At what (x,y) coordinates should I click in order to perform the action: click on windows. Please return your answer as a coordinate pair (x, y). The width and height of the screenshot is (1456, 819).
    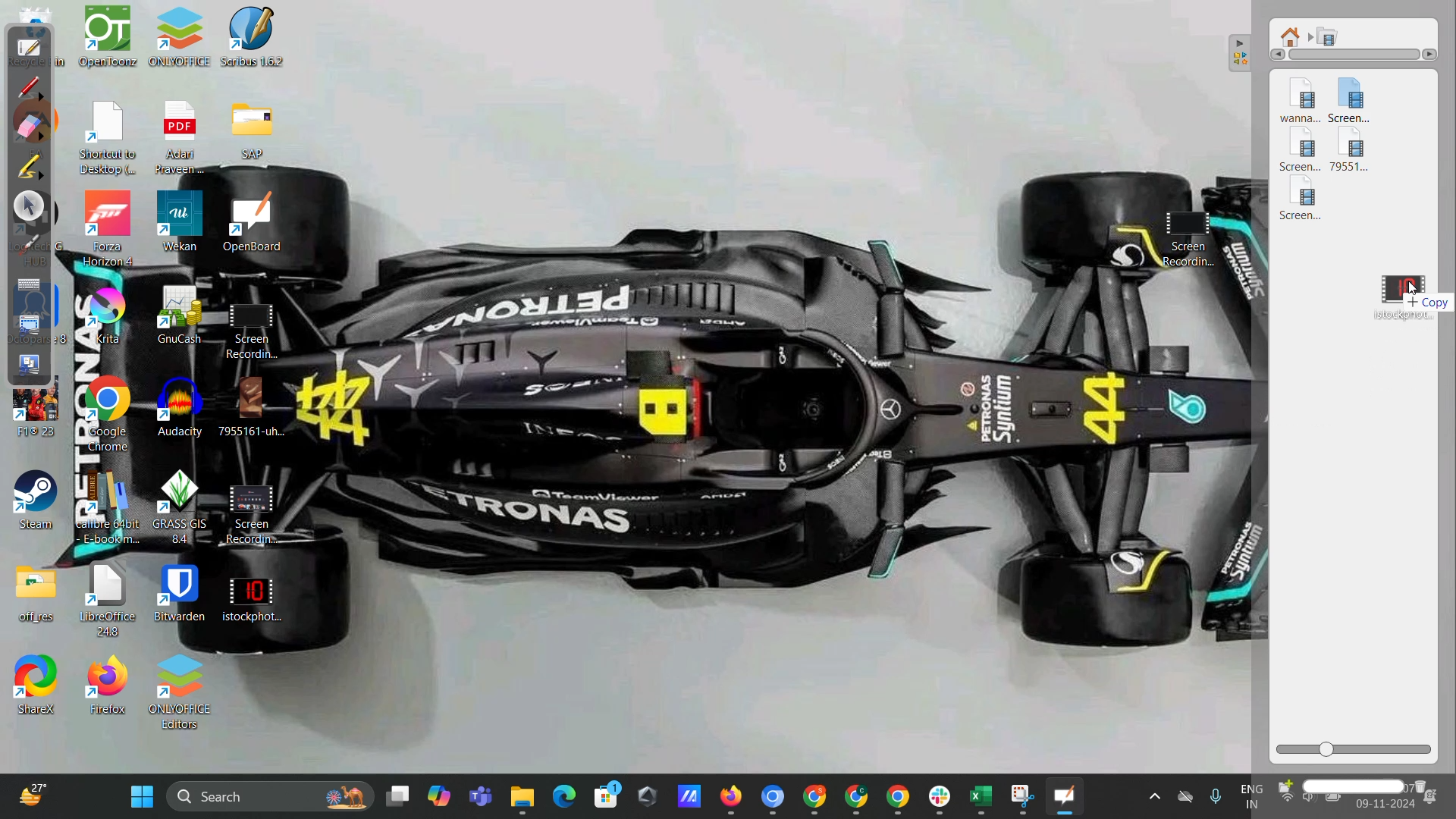
    Looking at the image, I should click on (141, 798).